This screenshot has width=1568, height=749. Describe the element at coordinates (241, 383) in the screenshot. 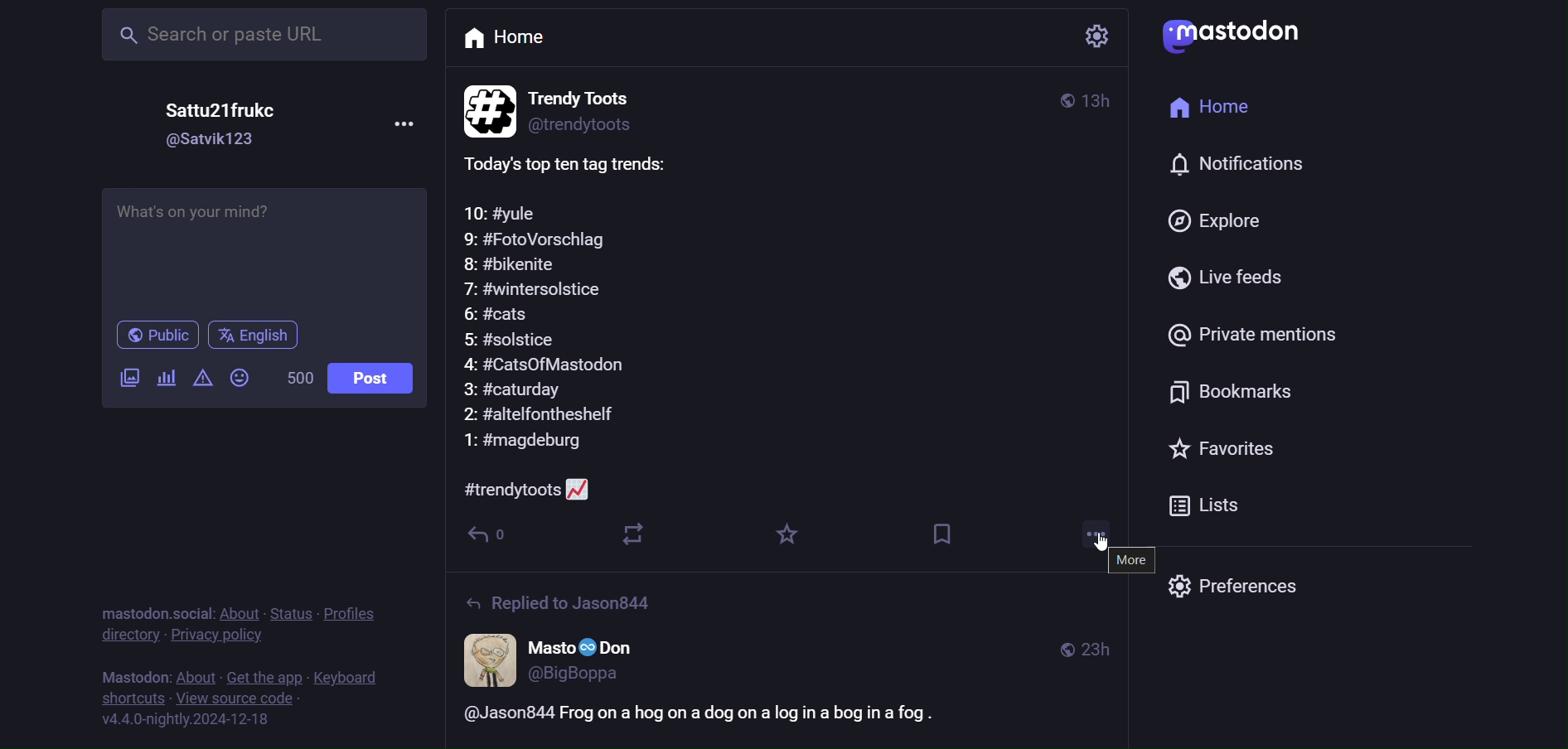

I see `emoji` at that location.